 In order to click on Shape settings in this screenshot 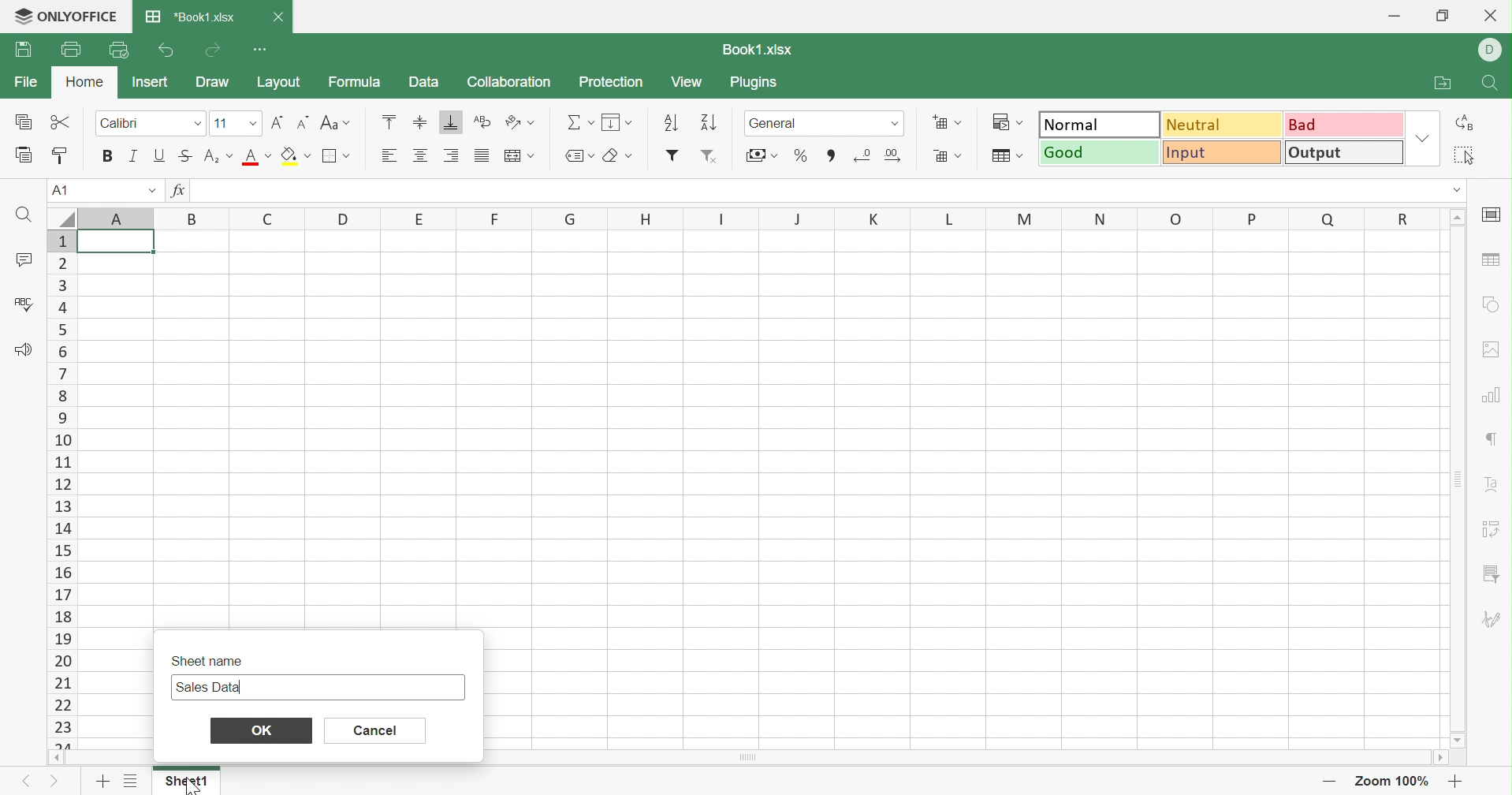, I will do `click(1491, 303)`.